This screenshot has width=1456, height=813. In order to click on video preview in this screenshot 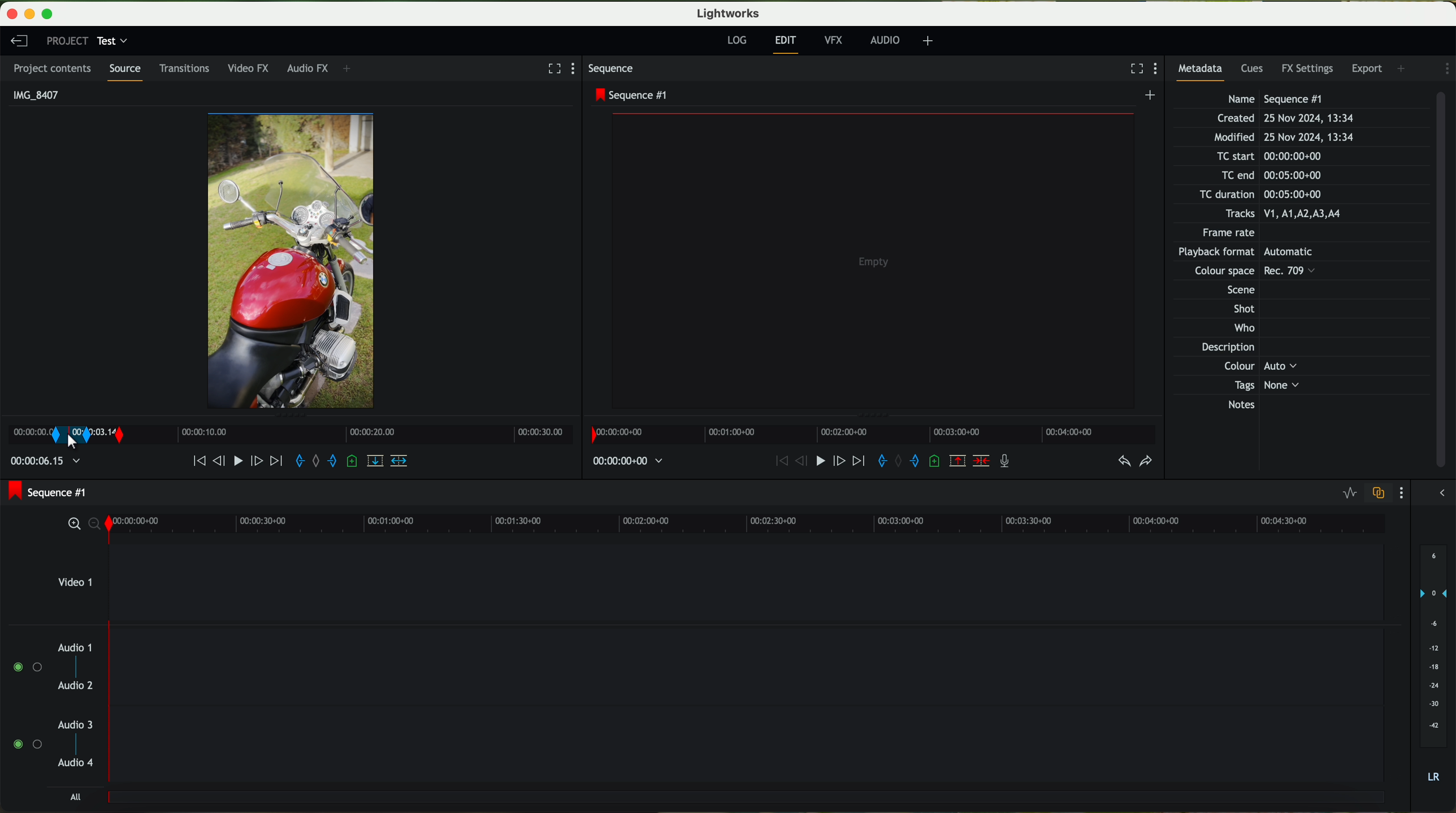, I will do `click(873, 260)`.